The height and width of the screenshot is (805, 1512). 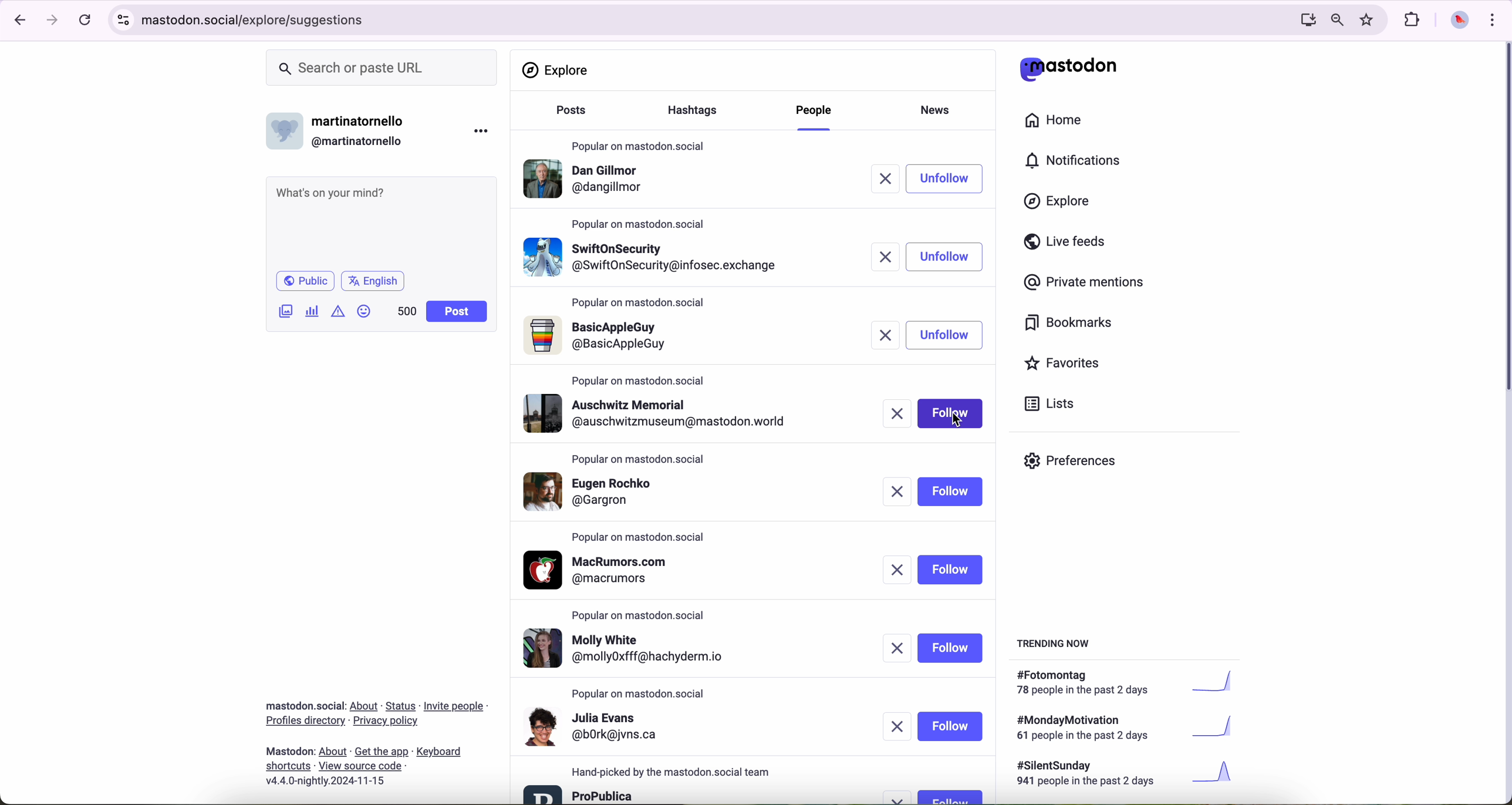 What do you see at coordinates (639, 380) in the screenshot?
I see `popular` at bounding box center [639, 380].